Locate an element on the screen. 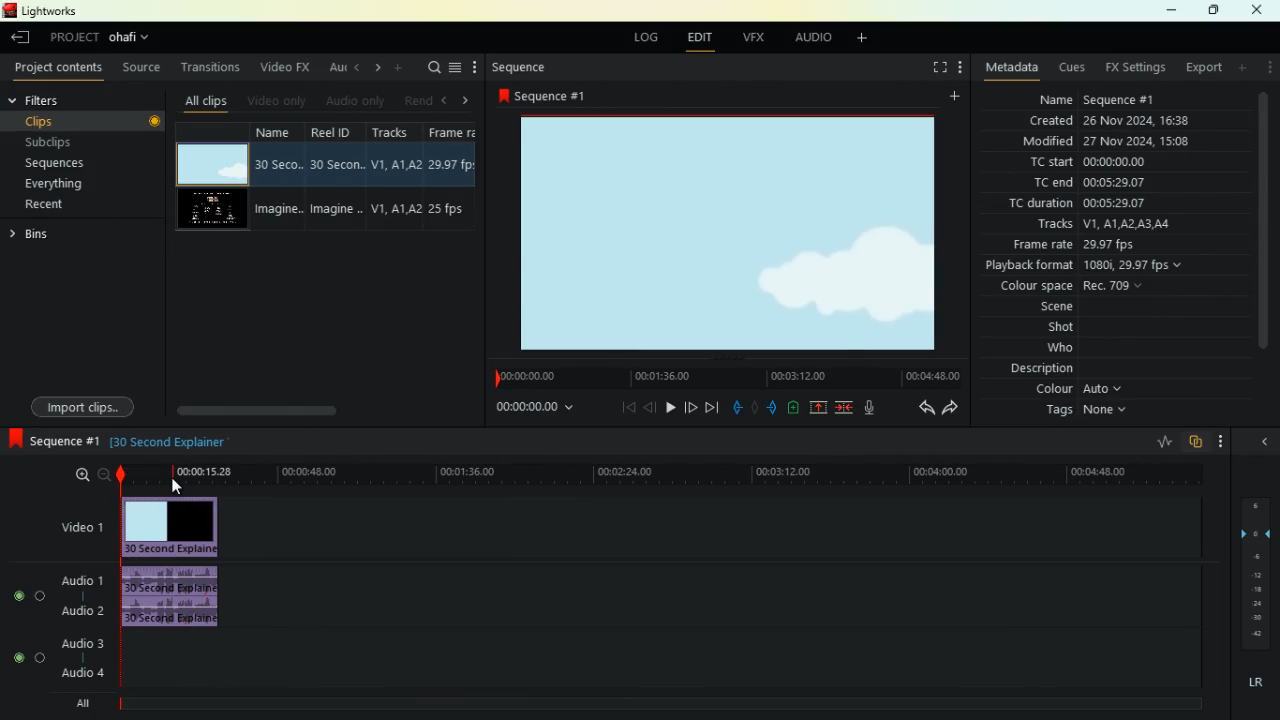  source is located at coordinates (145, 67).